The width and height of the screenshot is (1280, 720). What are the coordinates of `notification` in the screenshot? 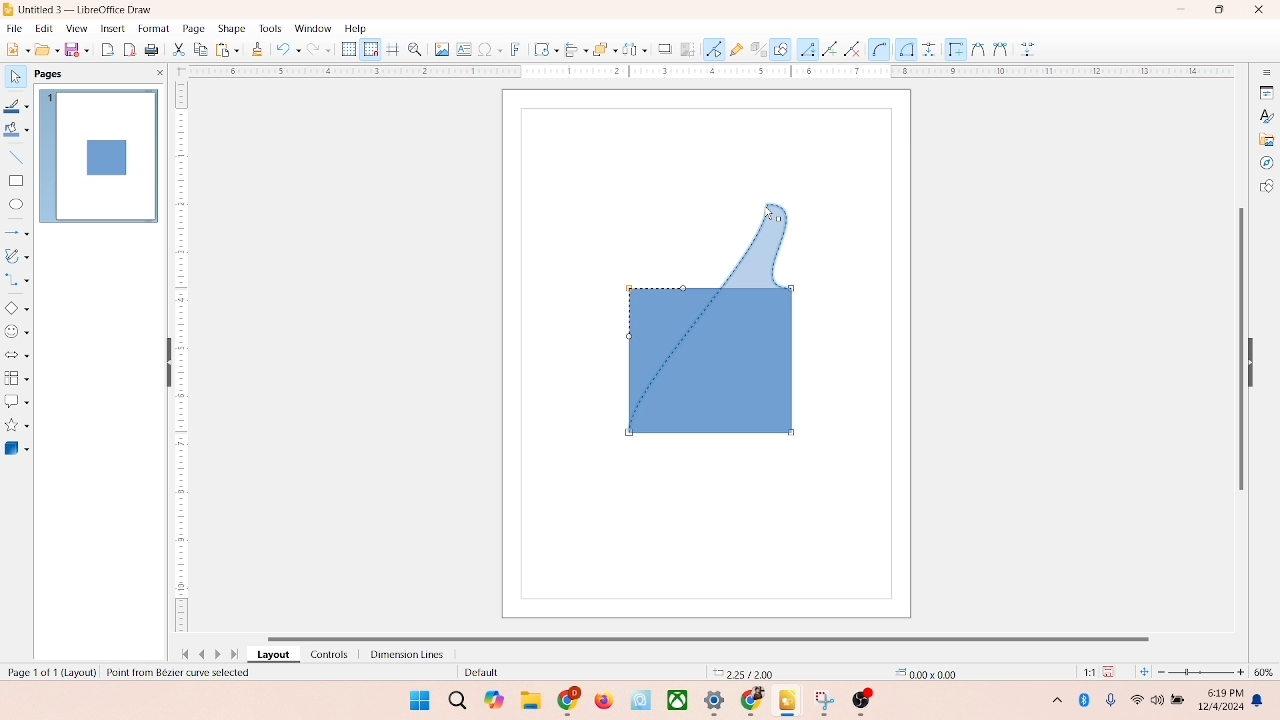 It's located at (1261, 701).